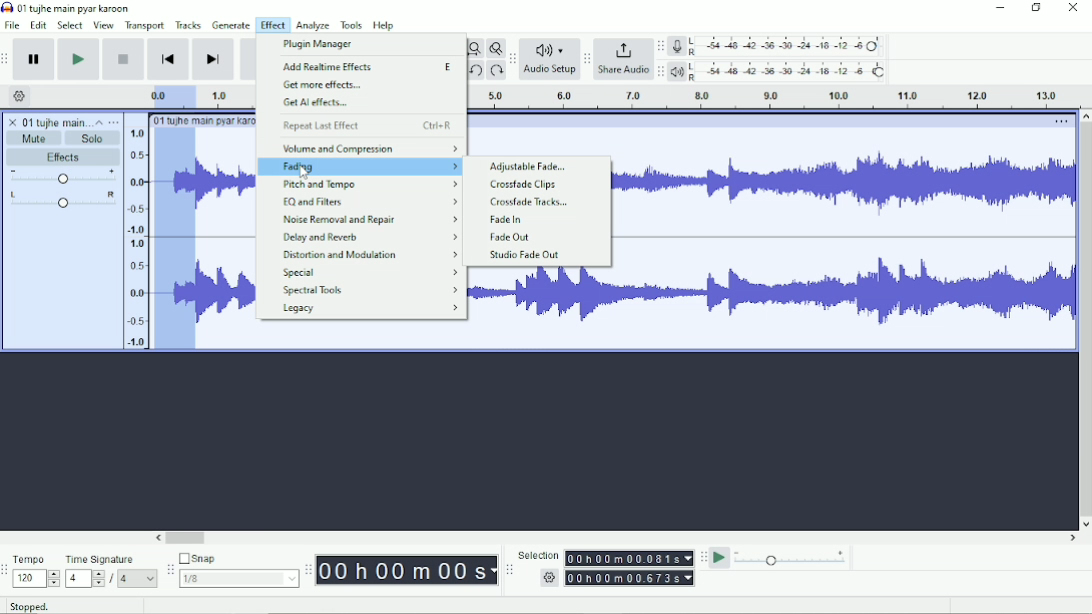 This screenshot has height=614, width=1092. Describe the element at coordinates (125, 58) in the screenshot. I see `Stop` at that location.